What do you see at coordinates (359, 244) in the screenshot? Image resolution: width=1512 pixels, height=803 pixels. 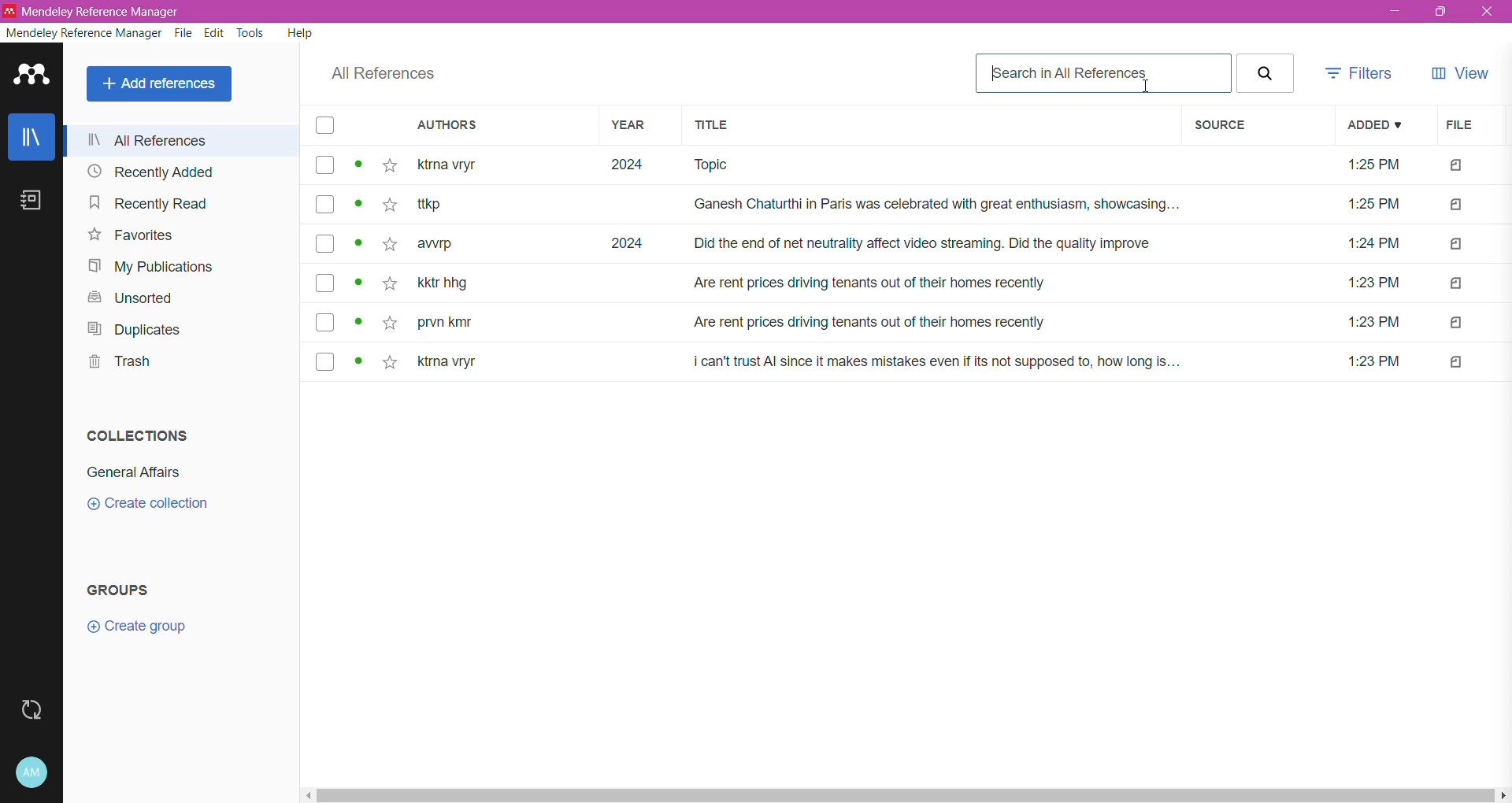 I see `view status of the file` at bounding box center [359, 244].